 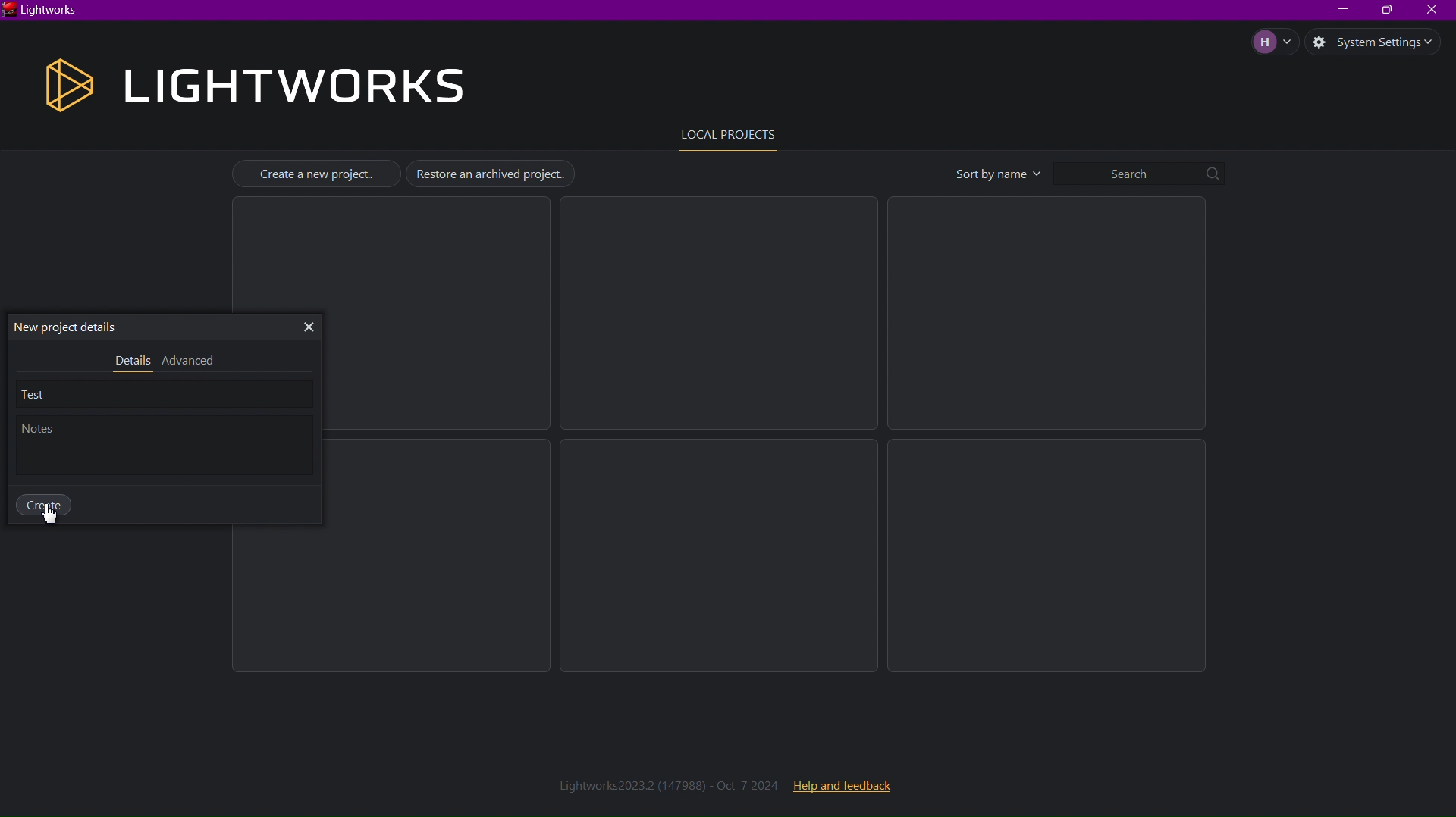 I want to click on Advanced, so click(x=190, y=362).